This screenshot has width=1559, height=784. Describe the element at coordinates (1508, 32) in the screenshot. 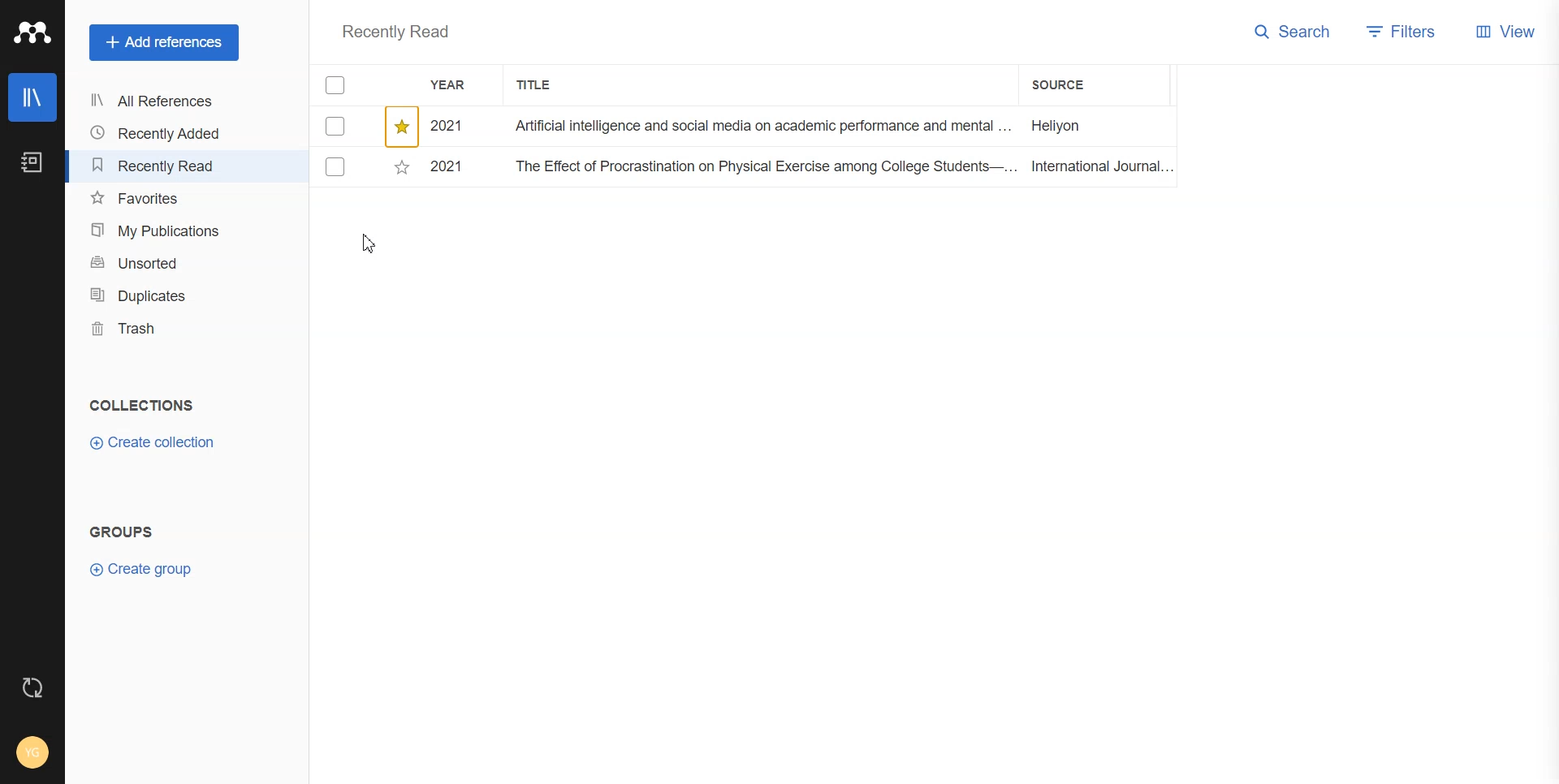

I see `View` at that location.